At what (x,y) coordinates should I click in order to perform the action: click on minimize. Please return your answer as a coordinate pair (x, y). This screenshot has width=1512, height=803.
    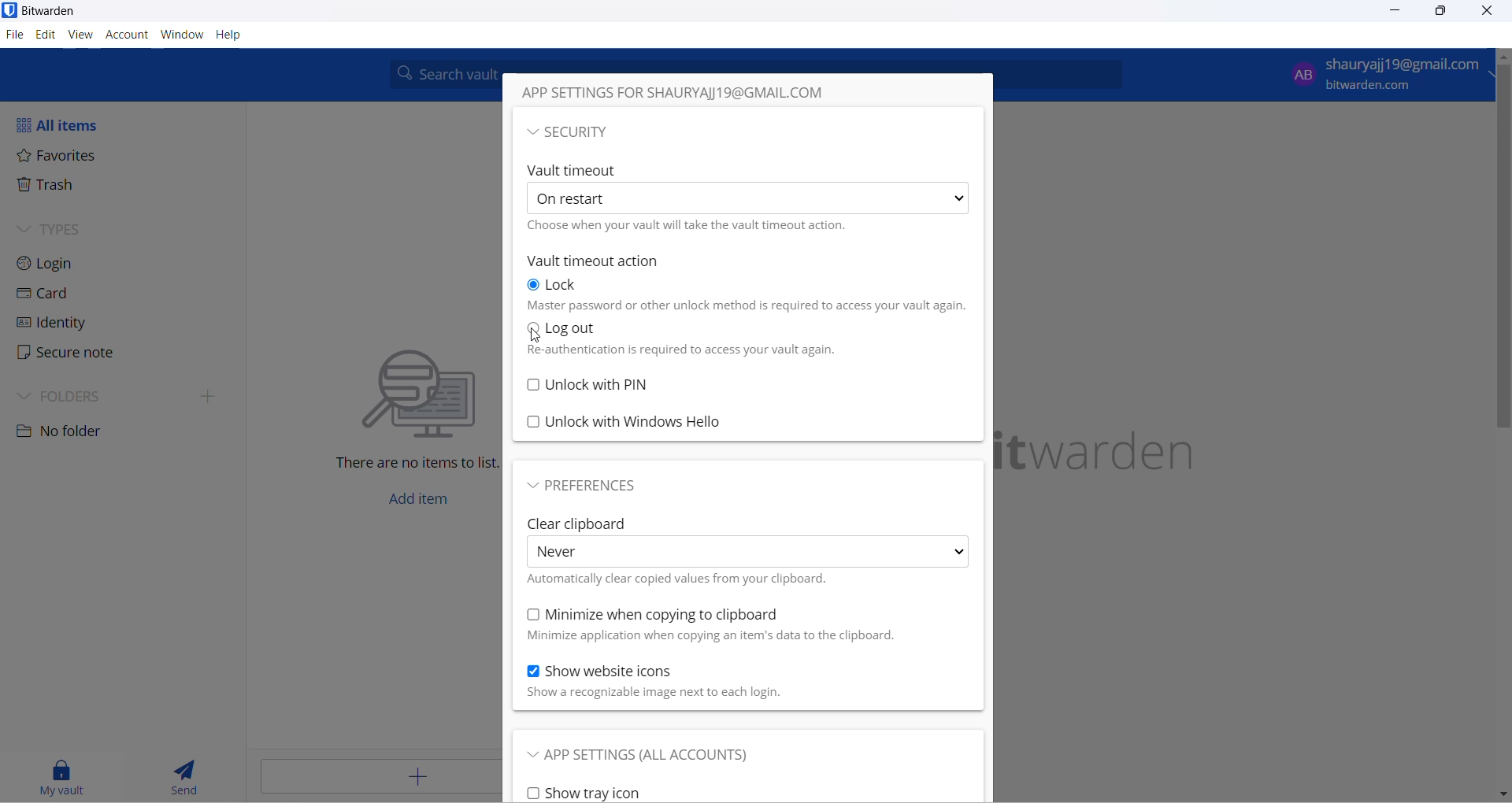
    Looking at the image, I should click on (1401, 13).